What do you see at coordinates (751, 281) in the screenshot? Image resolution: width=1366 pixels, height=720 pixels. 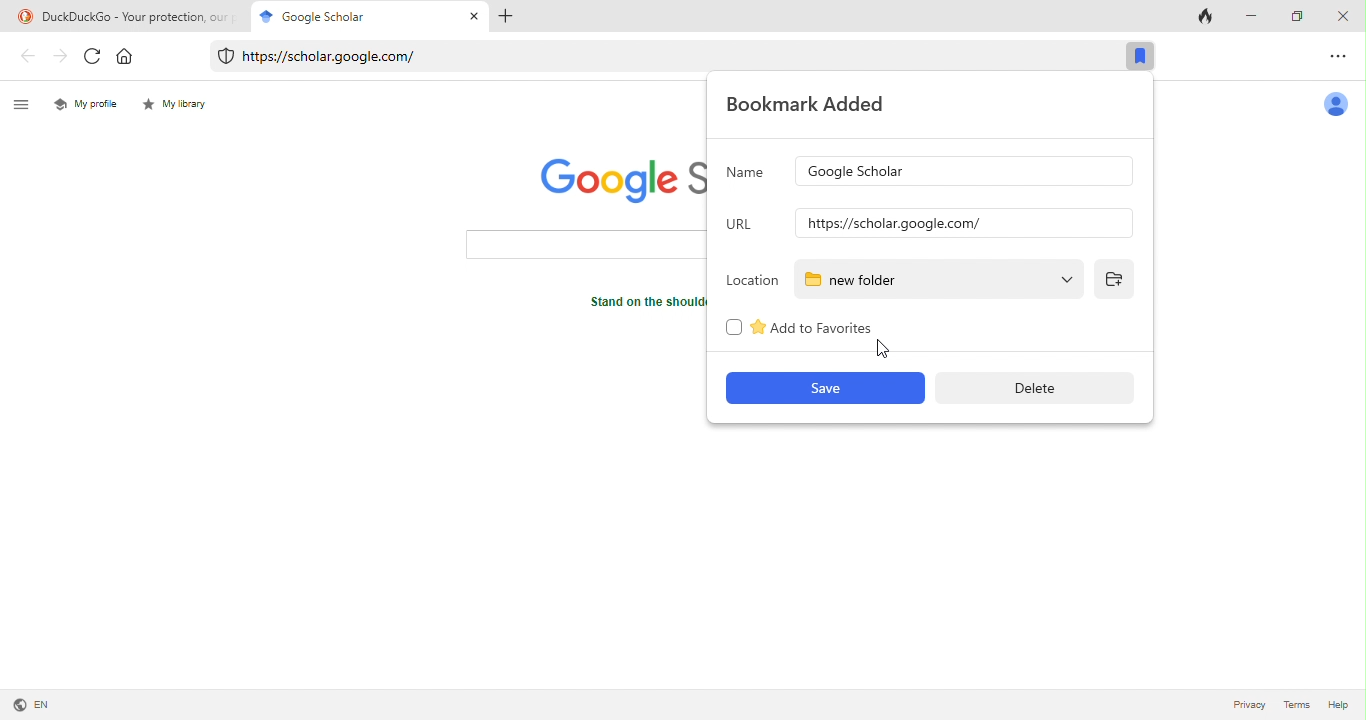 I see `location` at bounding box center [751, 281].